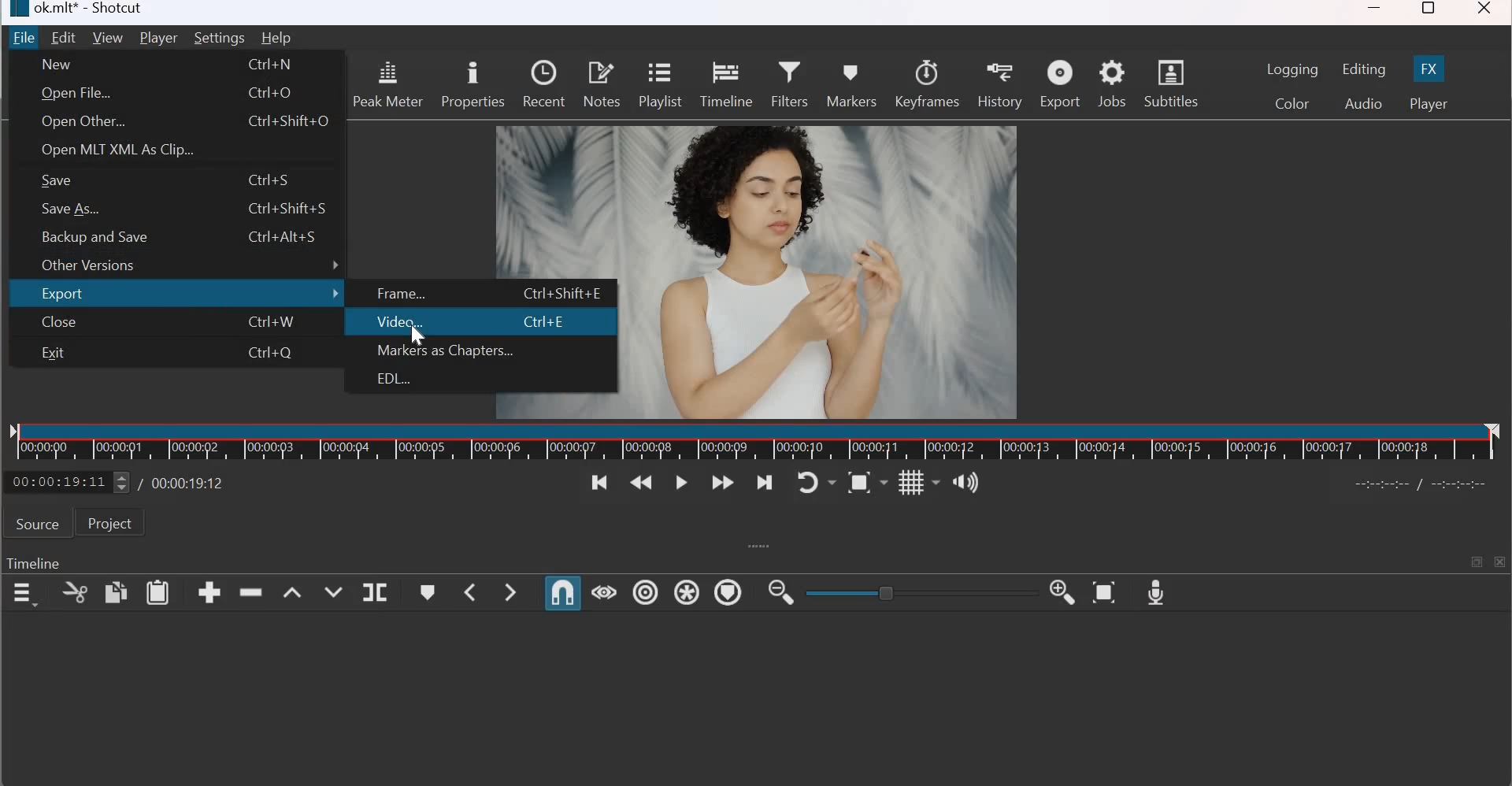 The image size is (1512, 786). What do you see at coordinates (65, 36) in the screenshot?
I see `Edit` at bounding box center [65, 36].